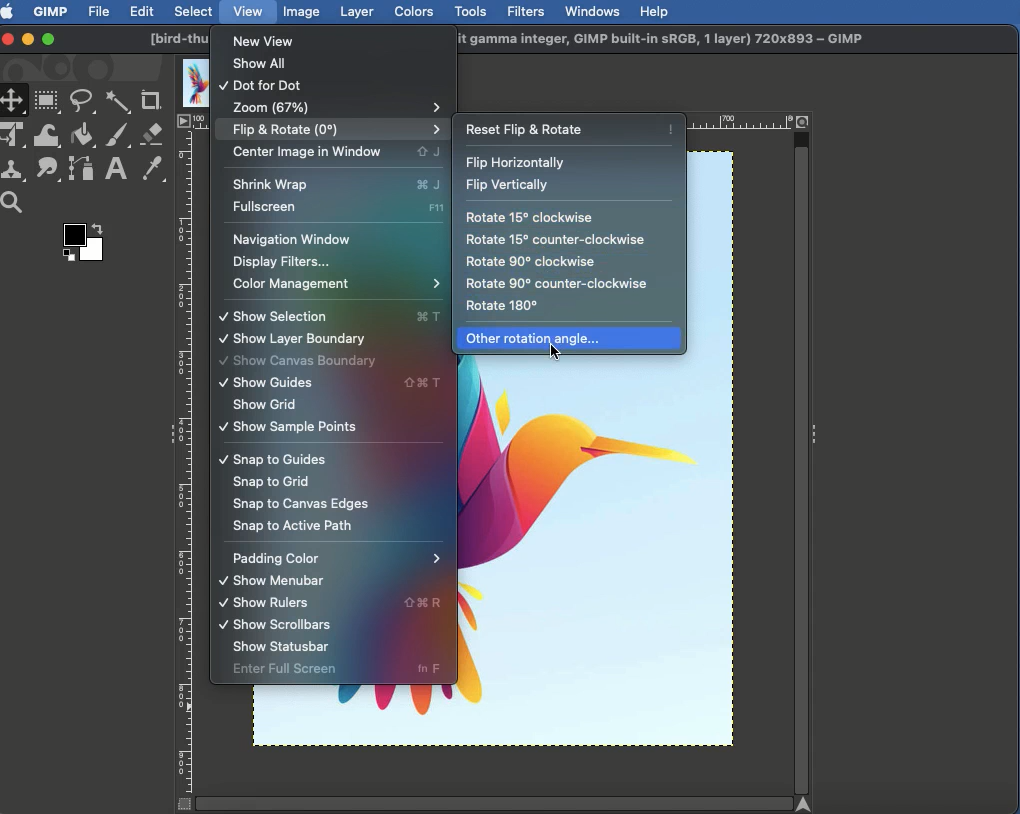 This screenshot has width=1020, height=814. What do you see at coordinates (28, 38) in the screenshot?
I see `Minimize` at bounding box center [28, 38].